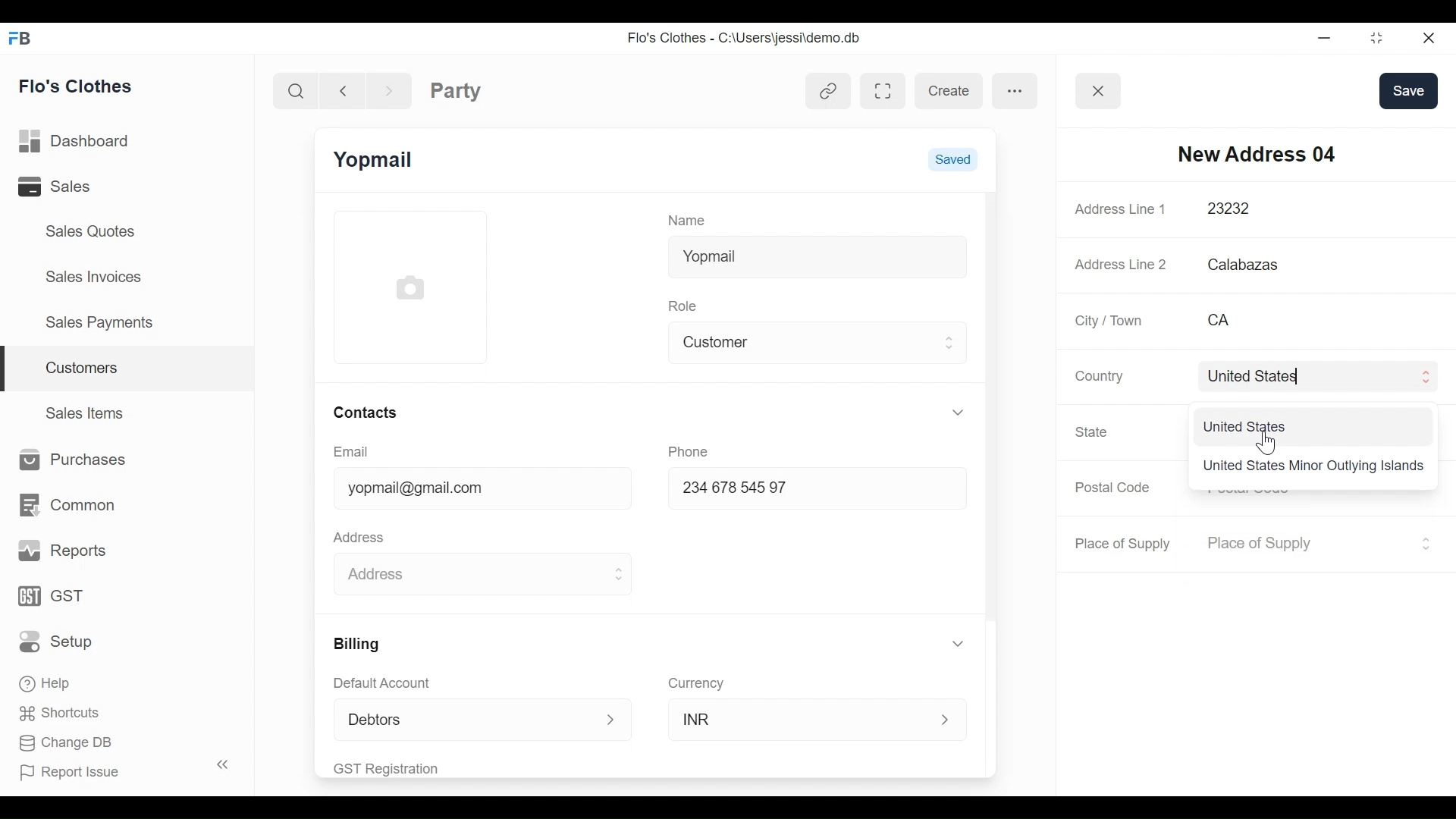 The width and height of the screenshot is (1456, 819). I want to click on Reports, so click(64, 551).